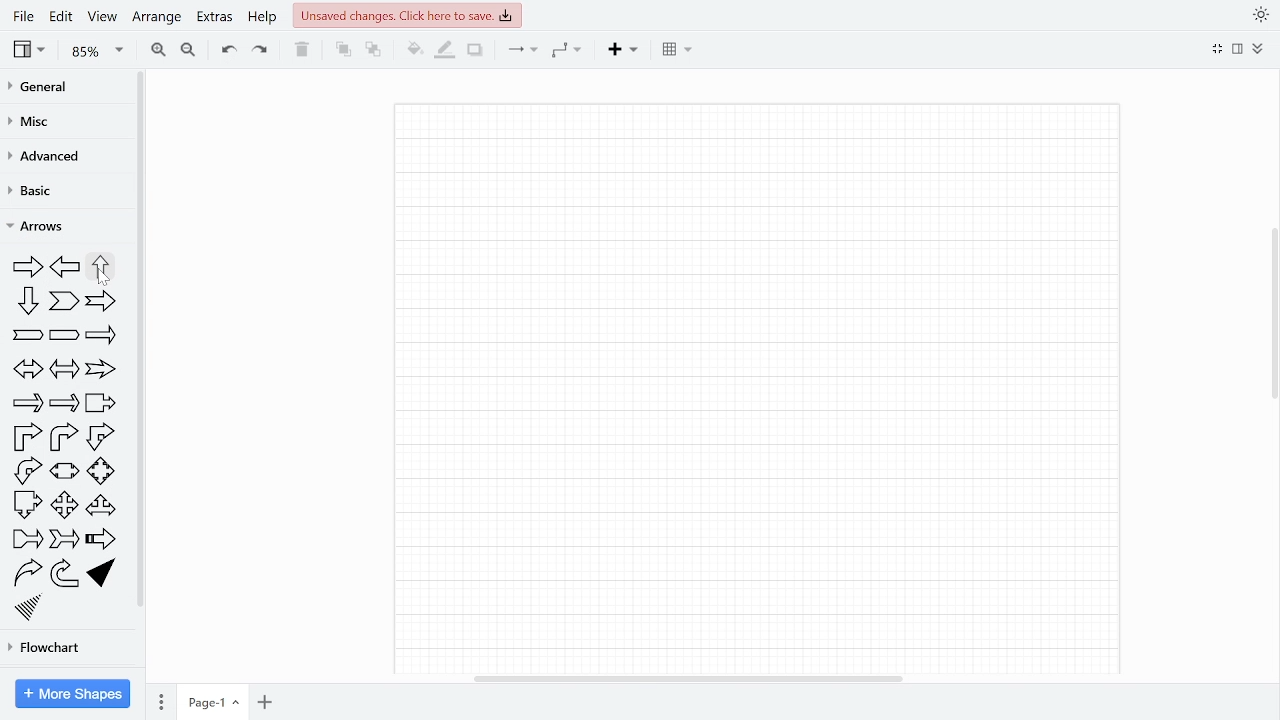 This screenshot has height=720, width=1280. Describe the element at coordinates (412, 50) in the screenshot. I see `Fill color` at that location.